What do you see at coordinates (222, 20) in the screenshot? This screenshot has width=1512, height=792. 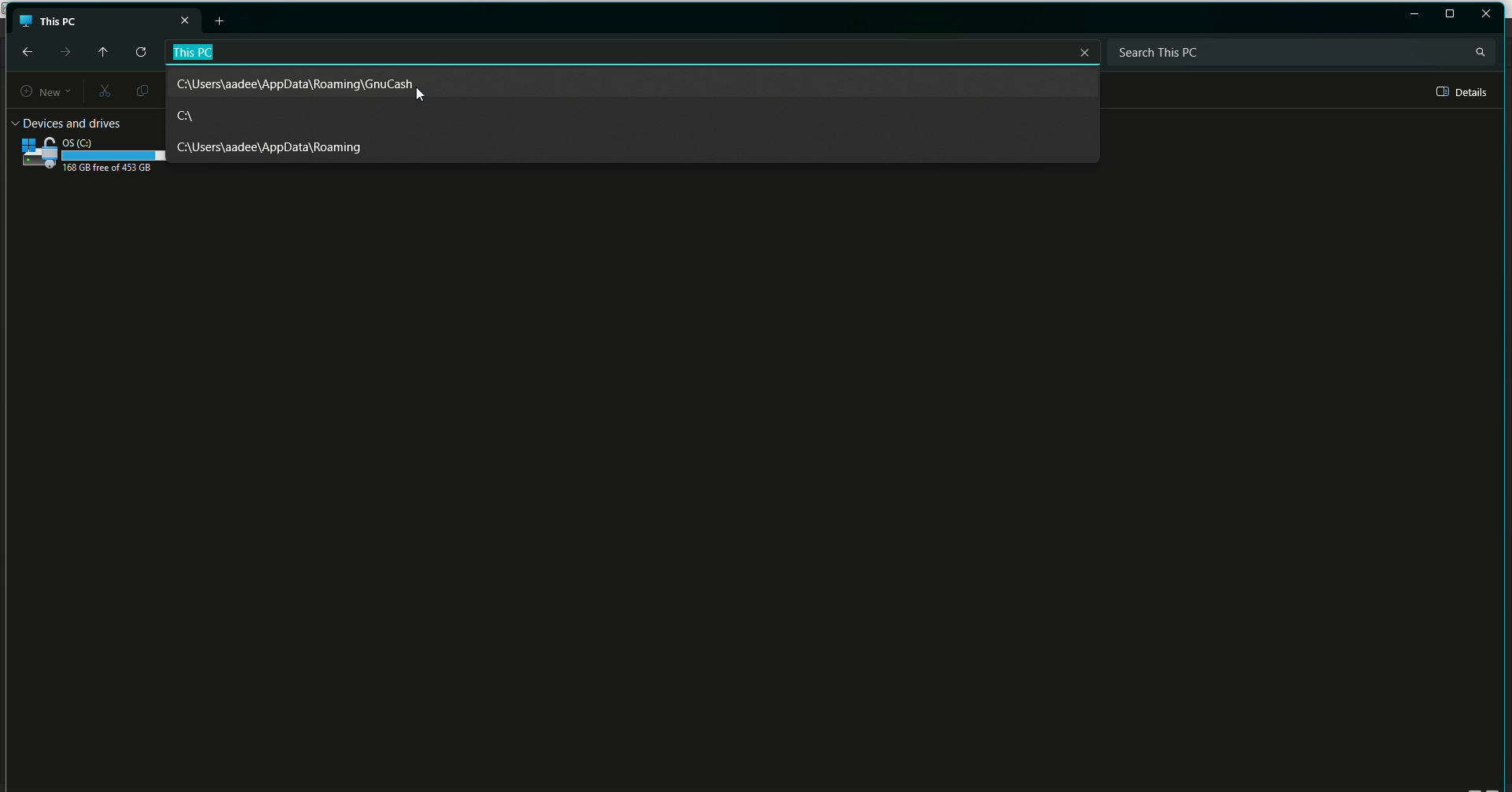 I see `New tab` at bounding box center [222, 20].